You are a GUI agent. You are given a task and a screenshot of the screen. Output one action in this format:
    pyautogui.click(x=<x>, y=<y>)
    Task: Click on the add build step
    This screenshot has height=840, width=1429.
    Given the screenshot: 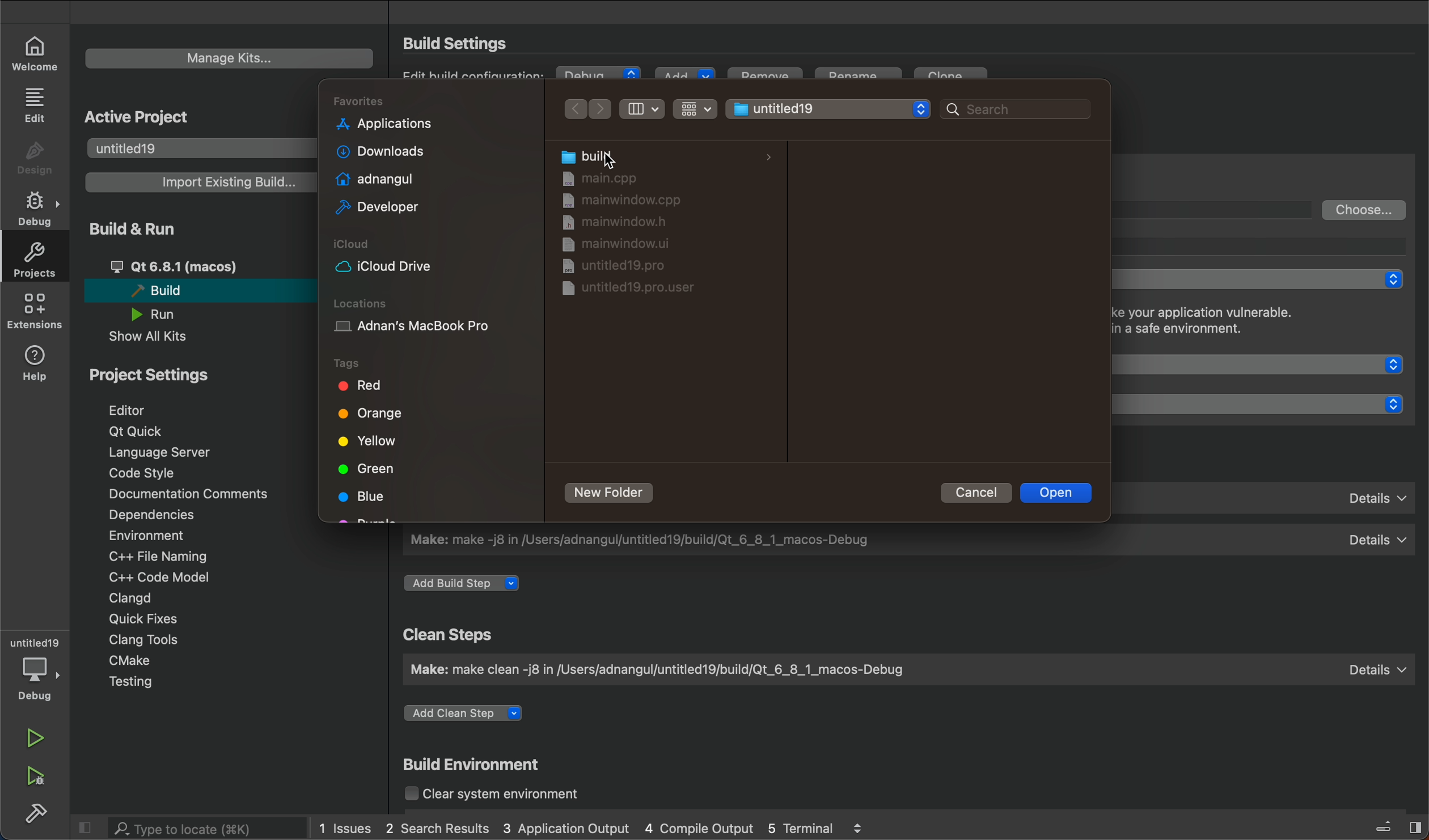 What is the action you would take?
    pyautogui.click(x=467, y=584)
    